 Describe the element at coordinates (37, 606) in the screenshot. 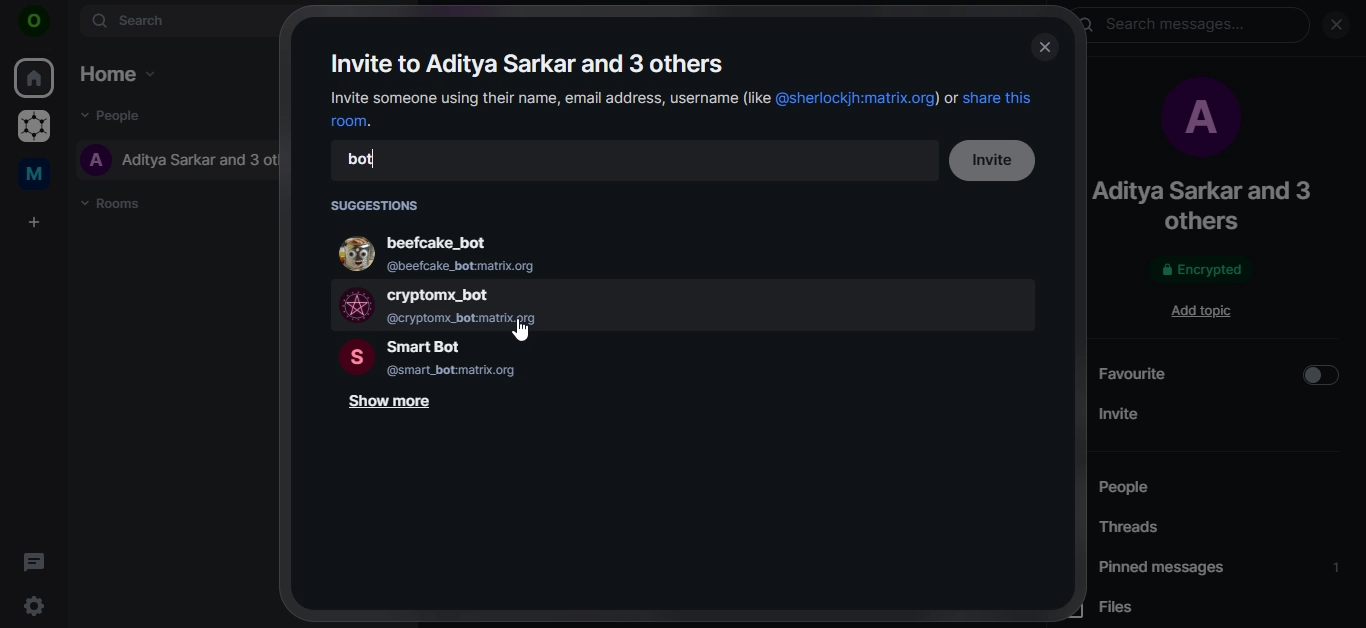

I see `quick settings` at that location.